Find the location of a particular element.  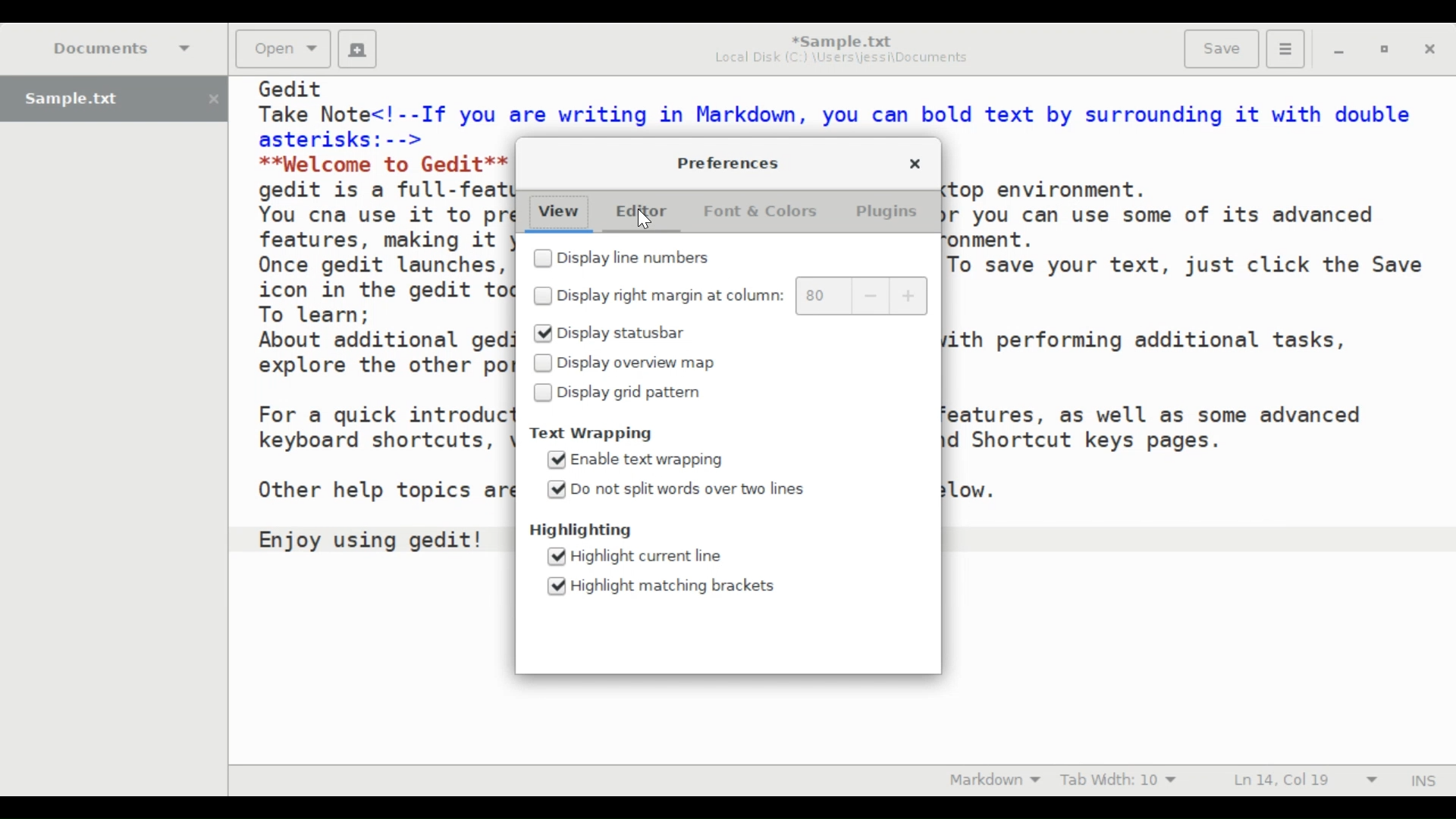

View (current) is located at coordinates (557, 213).